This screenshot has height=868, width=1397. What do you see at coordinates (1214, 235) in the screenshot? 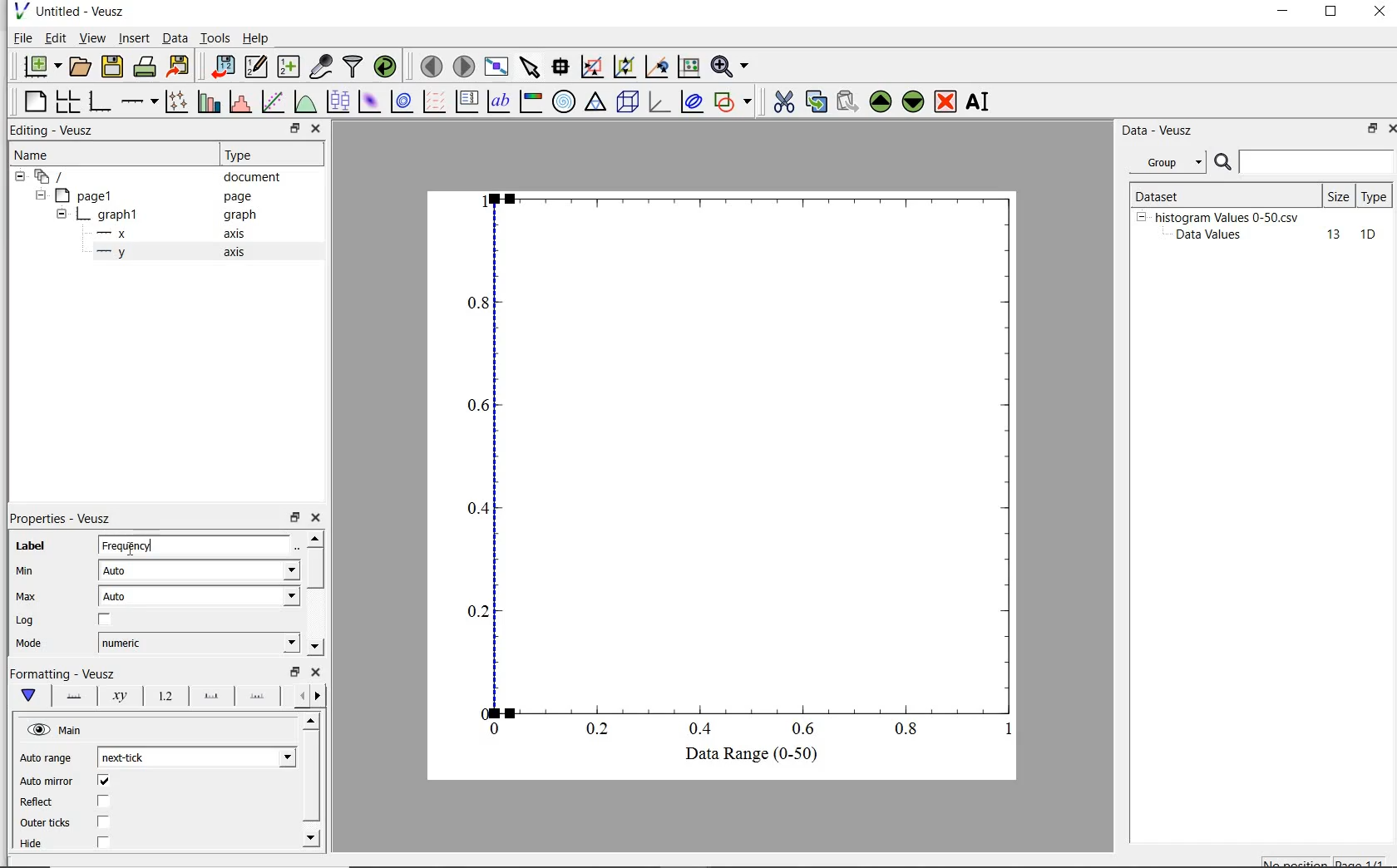
I see `Data Values` at bounding box center [1214, 235].